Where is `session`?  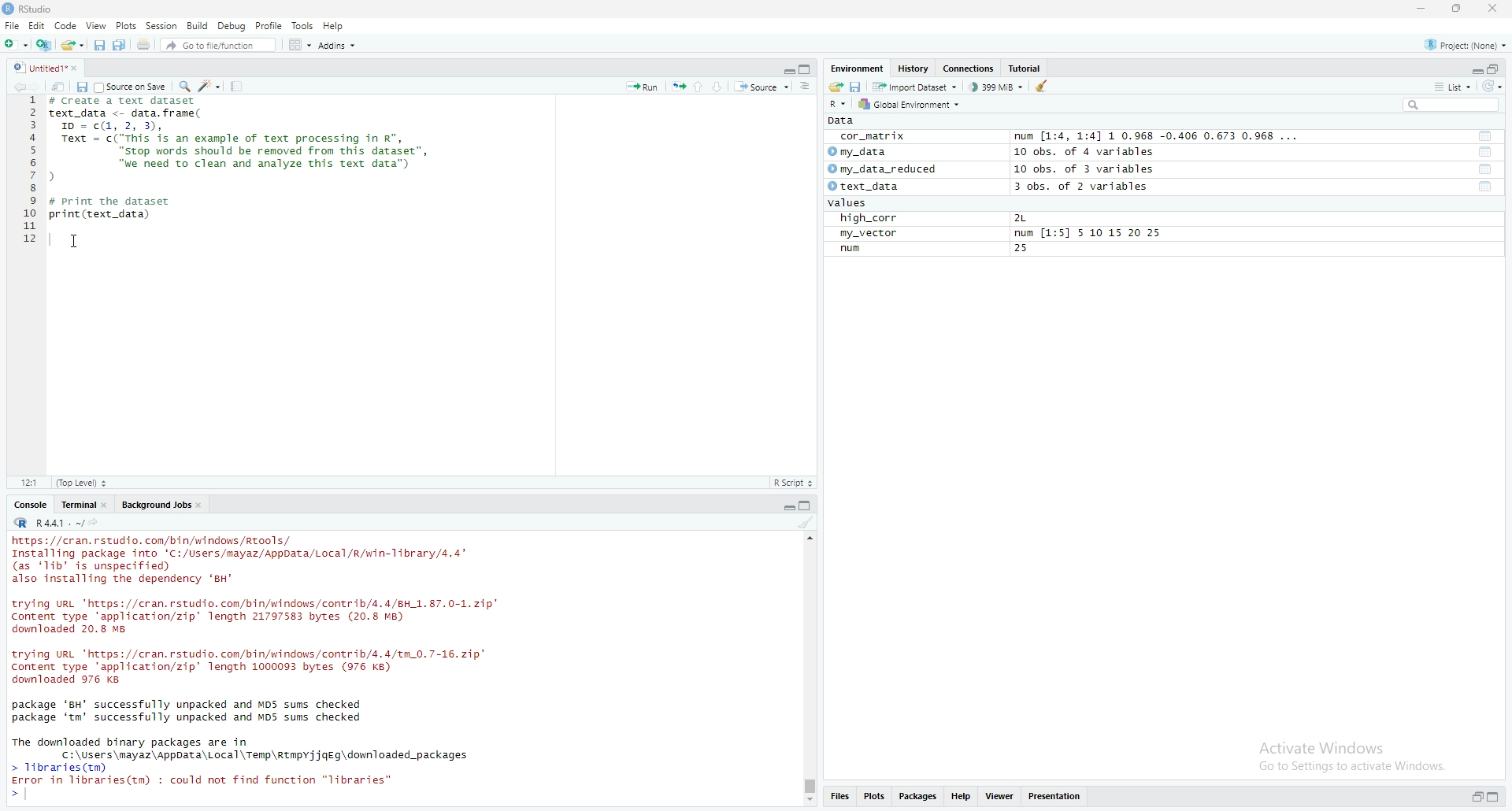 session is located at coordinates (161, 25).